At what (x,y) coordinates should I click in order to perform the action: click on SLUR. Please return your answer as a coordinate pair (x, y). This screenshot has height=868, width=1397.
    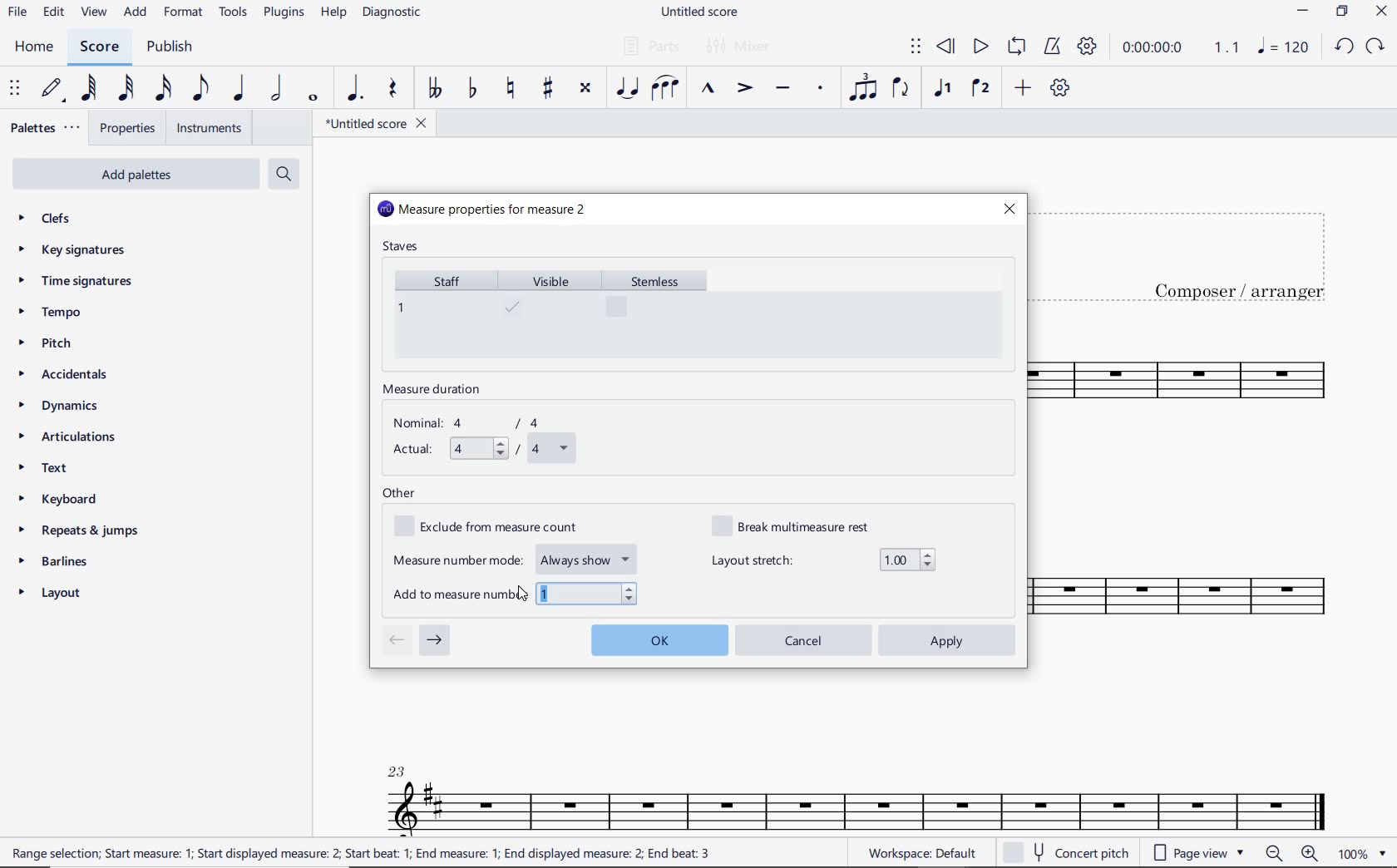
    Looking at the image, I should click on (665, 90).